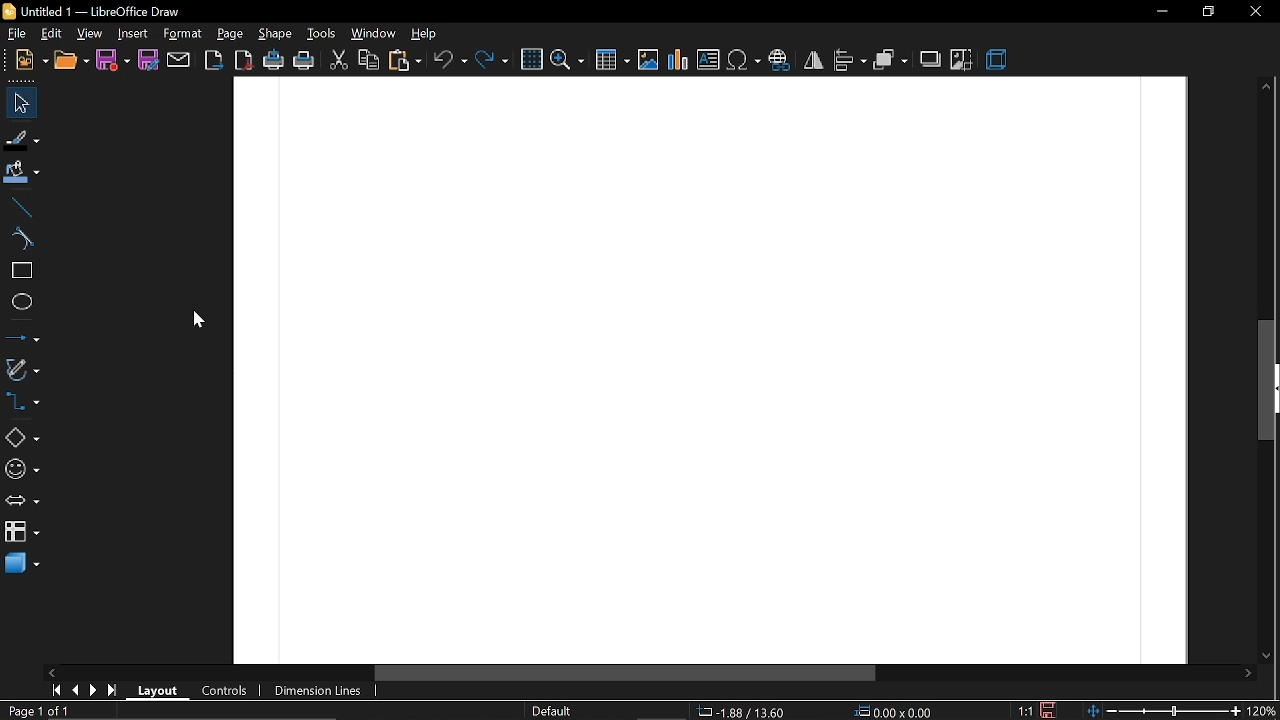 This screenshot has width=1280, height=720. What do you see at coordinates (25, 59) in the screenshot?
I see `new` at bounding box center [25, 59].